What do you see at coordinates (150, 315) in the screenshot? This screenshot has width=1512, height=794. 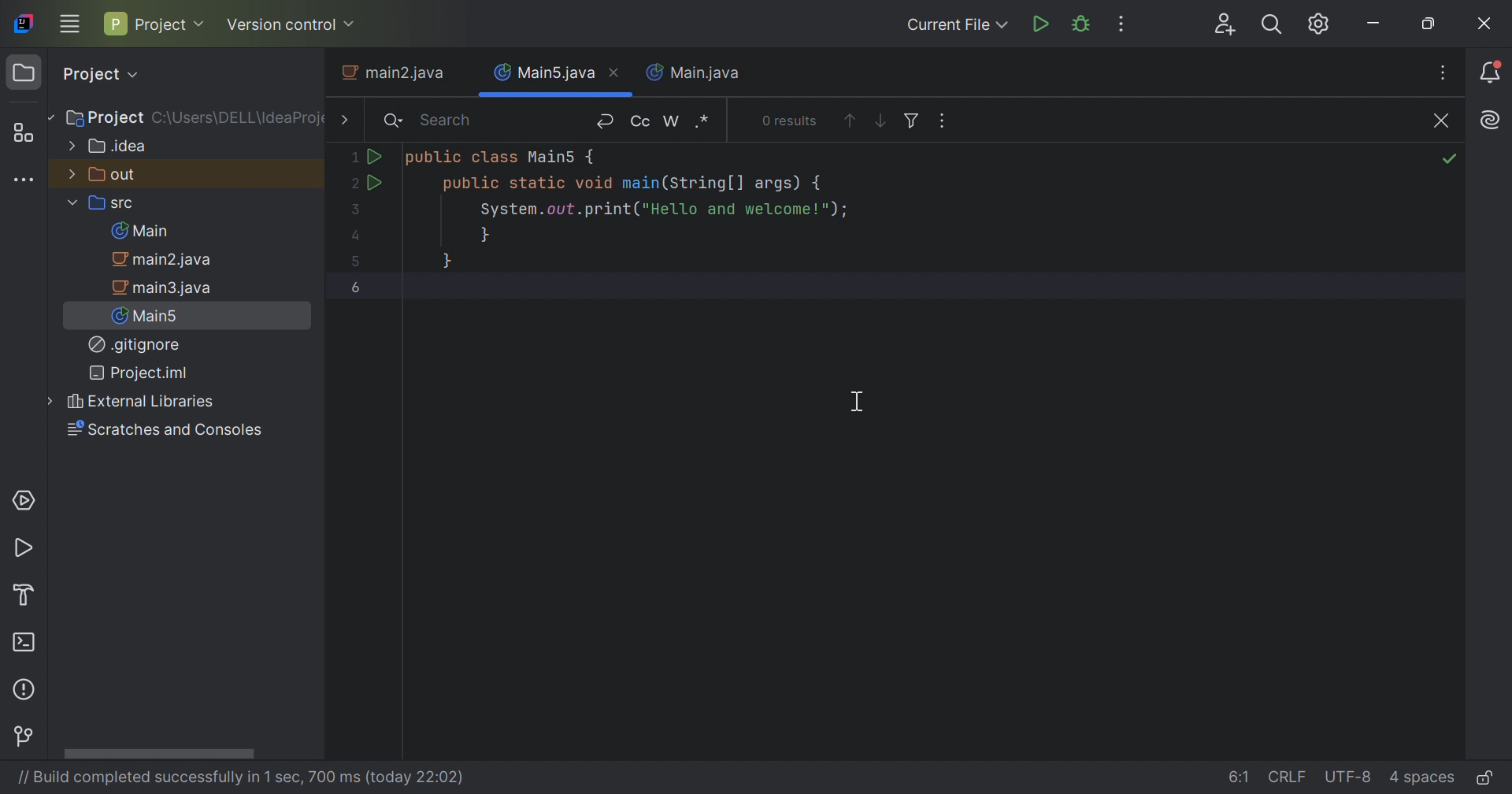 I see `Main5` at bounding box center [150, 315].